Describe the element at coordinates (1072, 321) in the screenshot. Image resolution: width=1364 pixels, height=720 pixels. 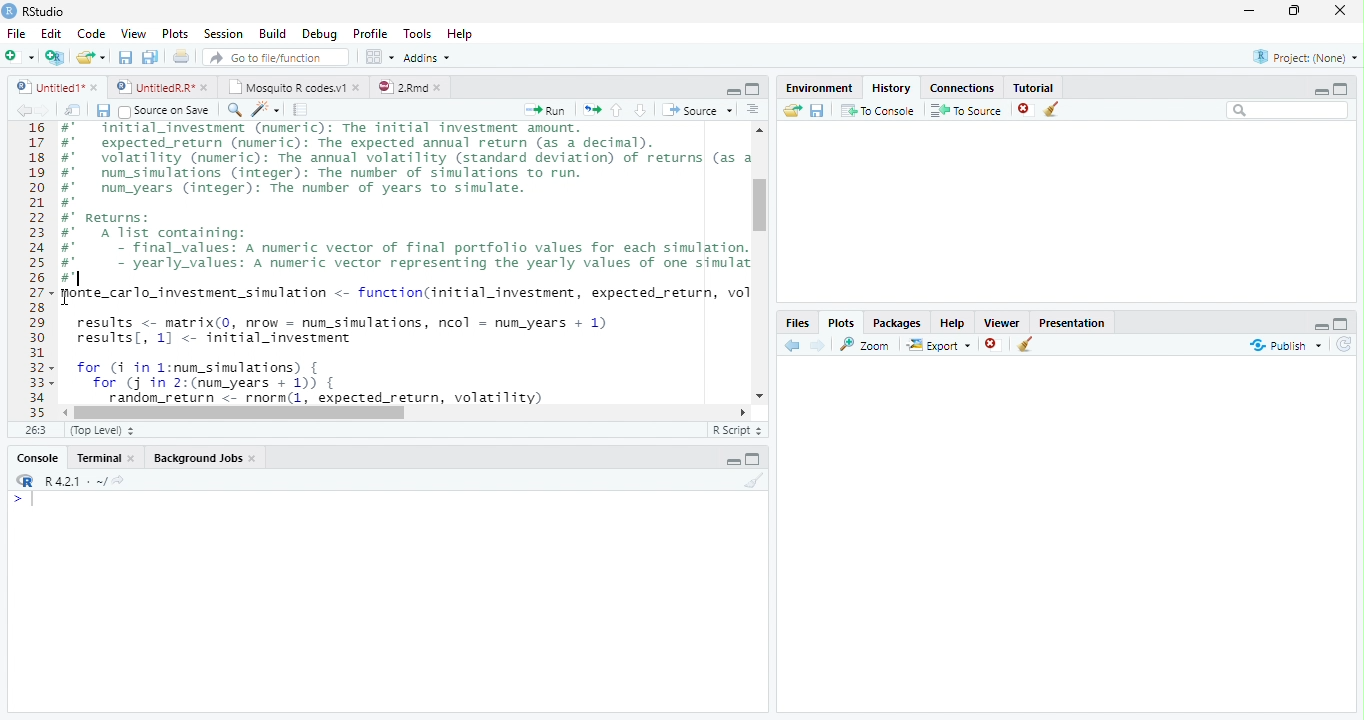
I see `Presentation` at that location.